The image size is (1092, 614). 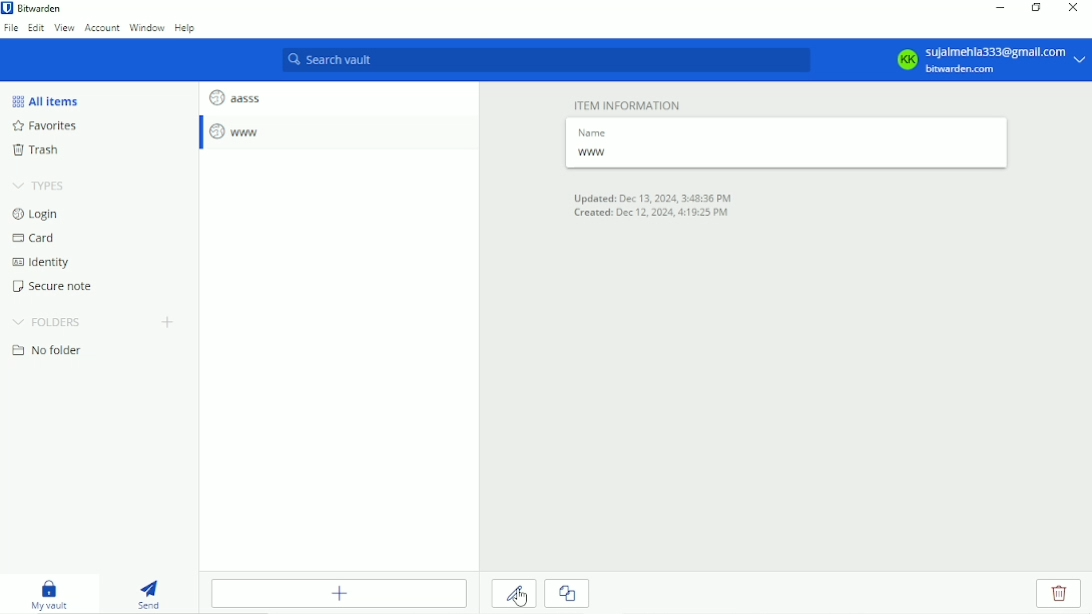 What do you see at coordinates (653, 196) in the screenshot?
I see `Updated on` at bounding box center [653, 196].